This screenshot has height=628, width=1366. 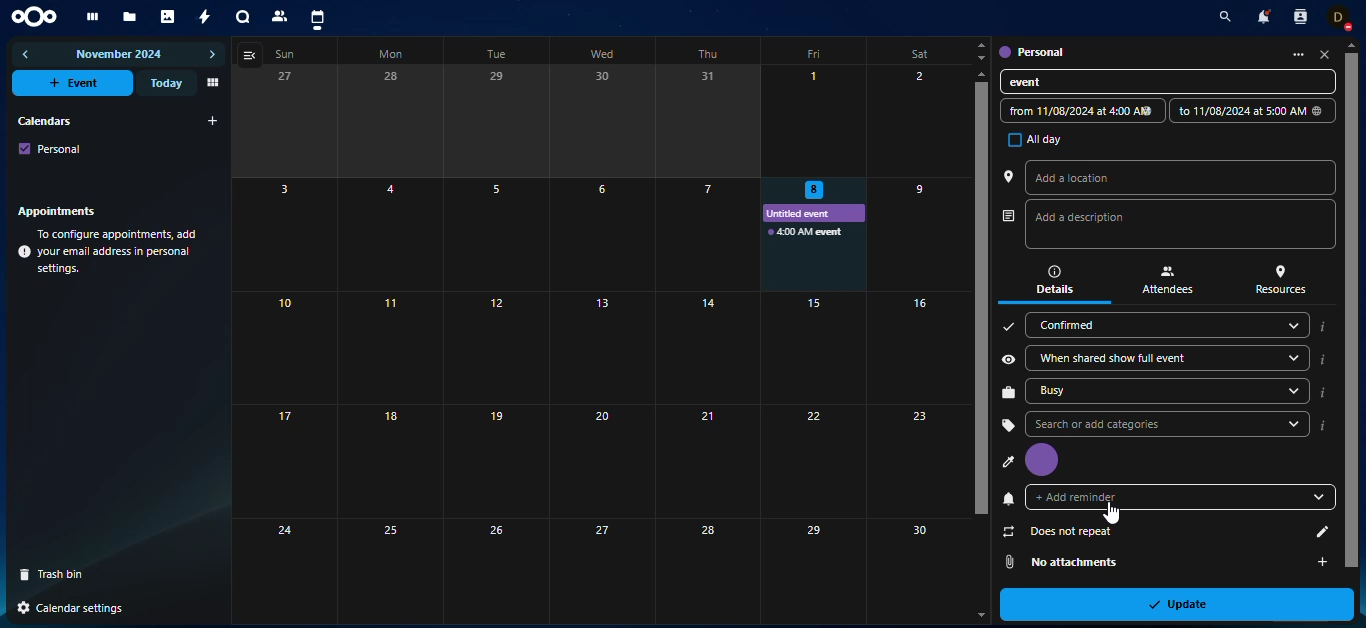 I want to click on view, so click(x=211, y=83).